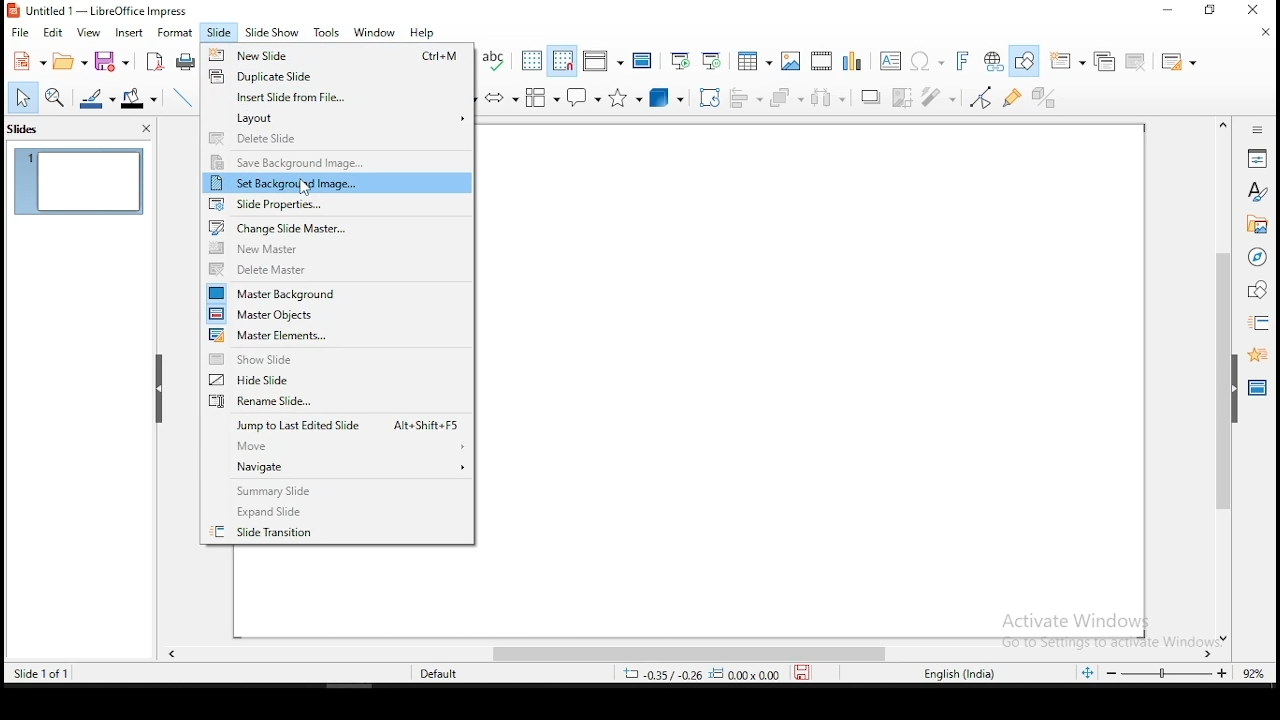 The width and height of the screenshot is (1280, 720). What do you see at coordinates (155, 60) in the screenshot?
I see `acrobat as pdf` at bounding box center [155, 60].